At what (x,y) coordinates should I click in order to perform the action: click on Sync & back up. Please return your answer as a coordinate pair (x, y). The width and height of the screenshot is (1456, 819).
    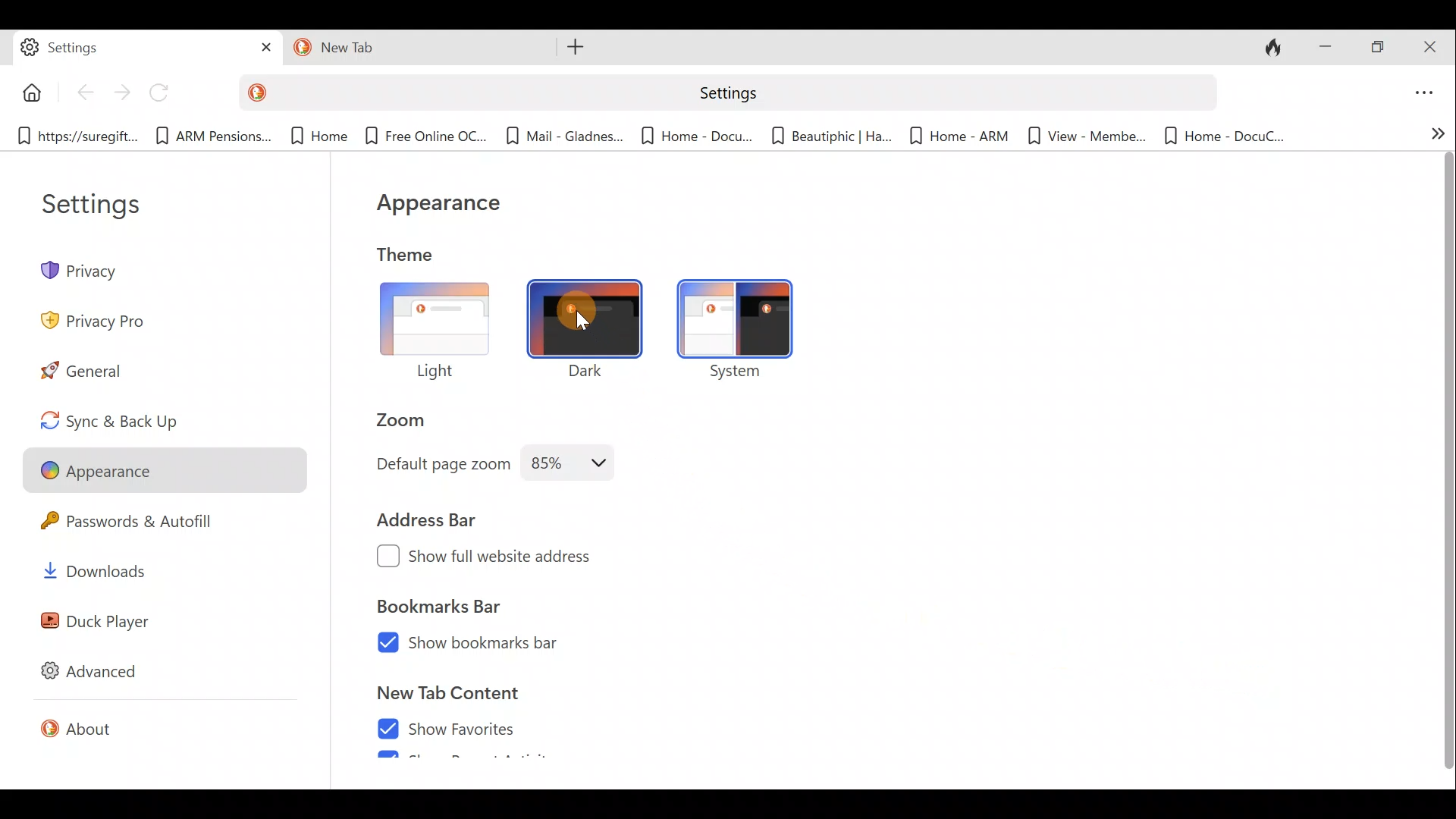
    Looking at the image, I should click on (122, 416).